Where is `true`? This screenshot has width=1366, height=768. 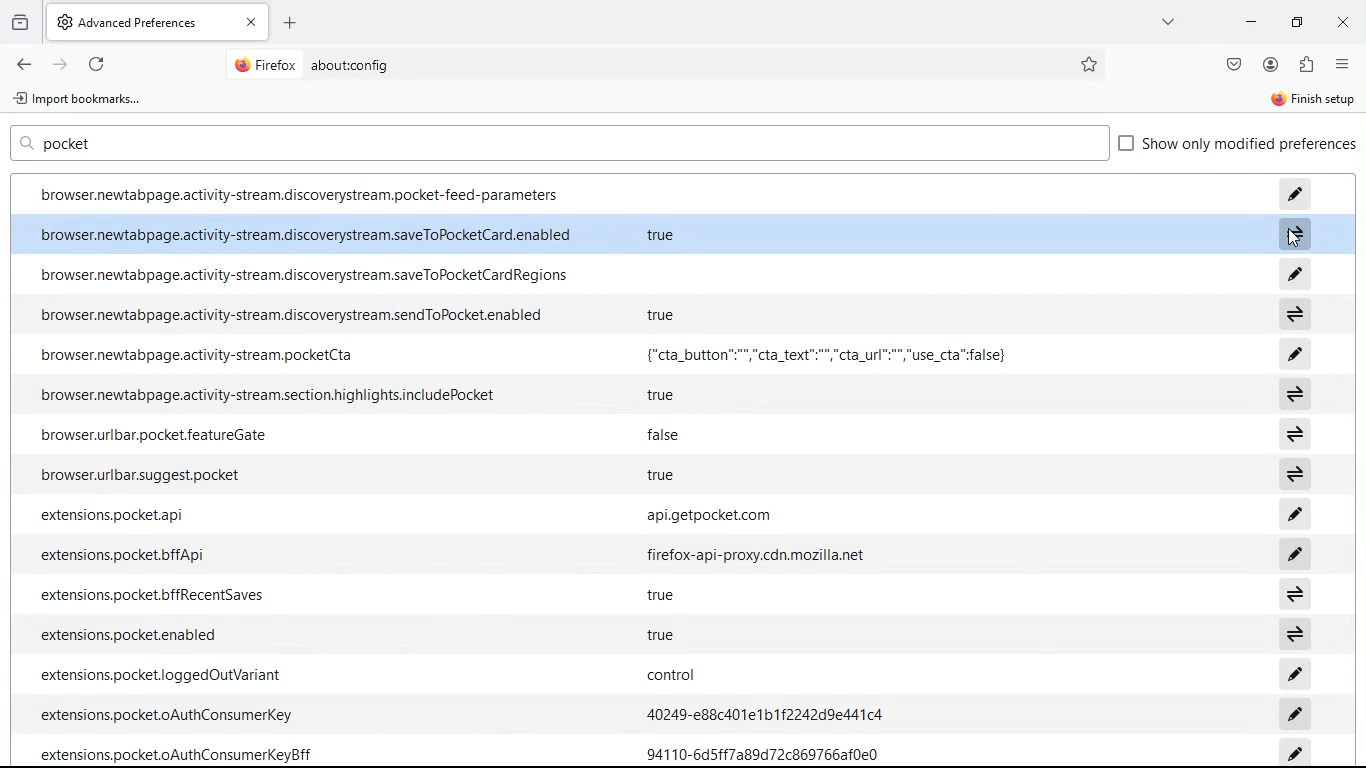 true is located at coordinates (661, 634).